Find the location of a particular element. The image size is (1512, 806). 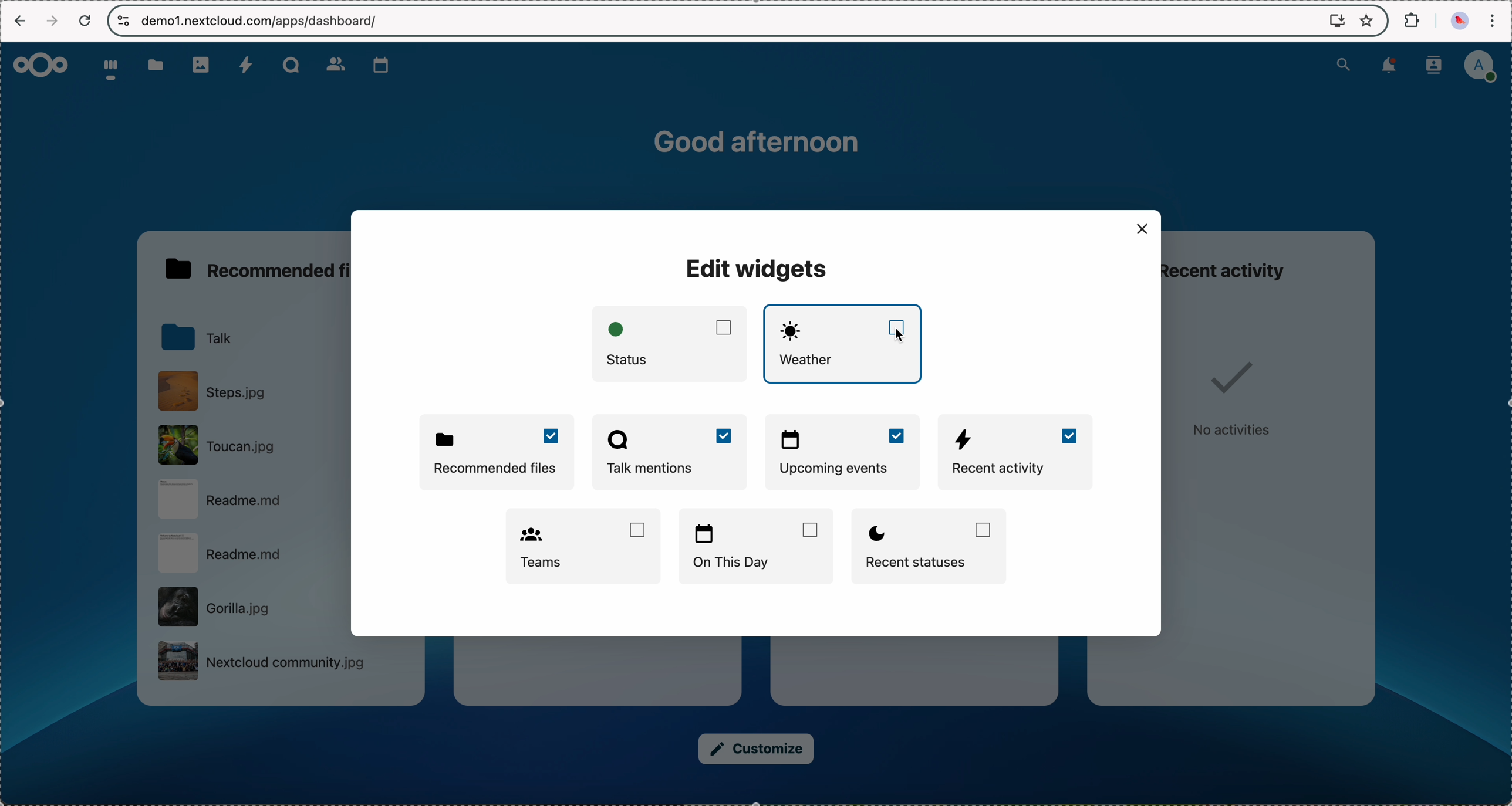

close window is located at coordinates (1142, 228).